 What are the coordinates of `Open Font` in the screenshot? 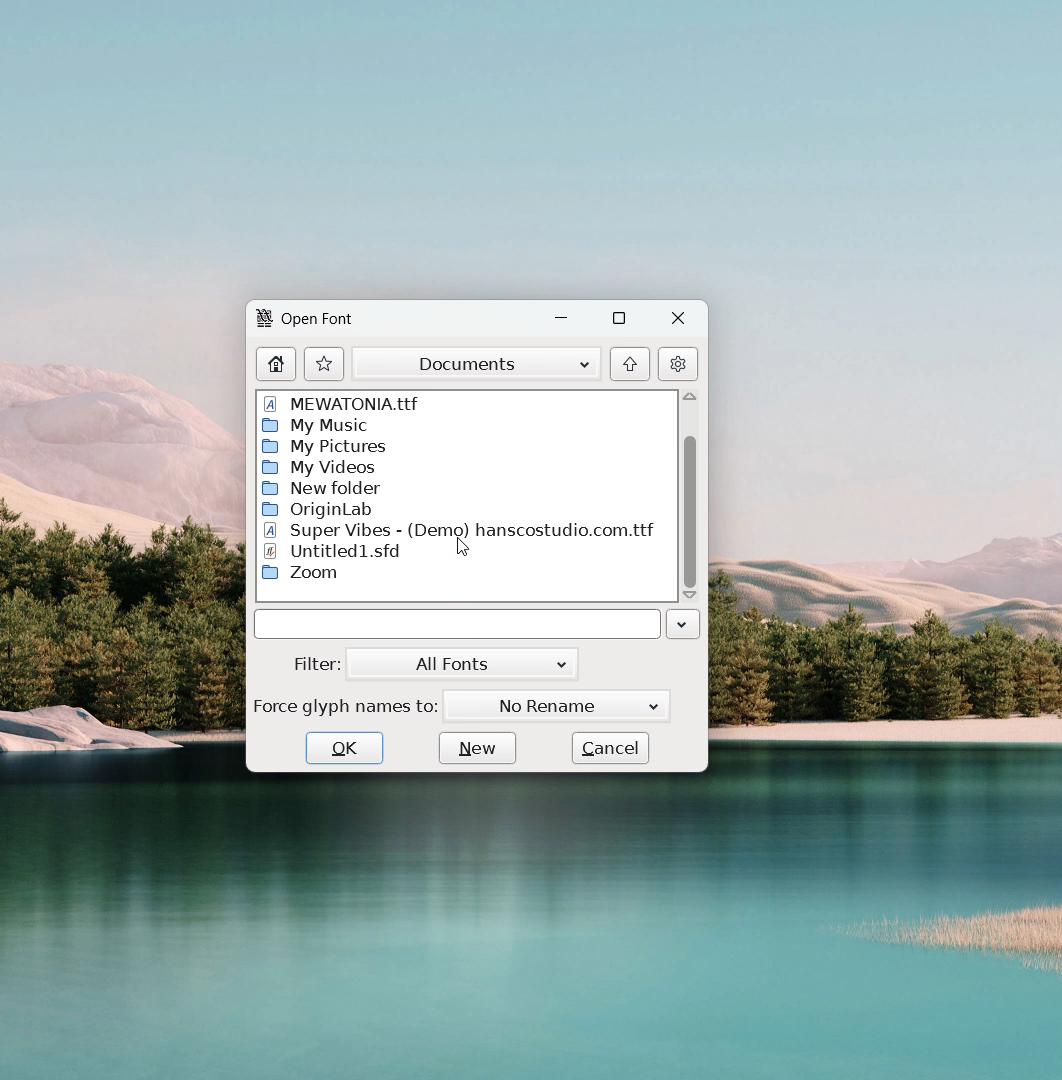 It's located at (316, 319).